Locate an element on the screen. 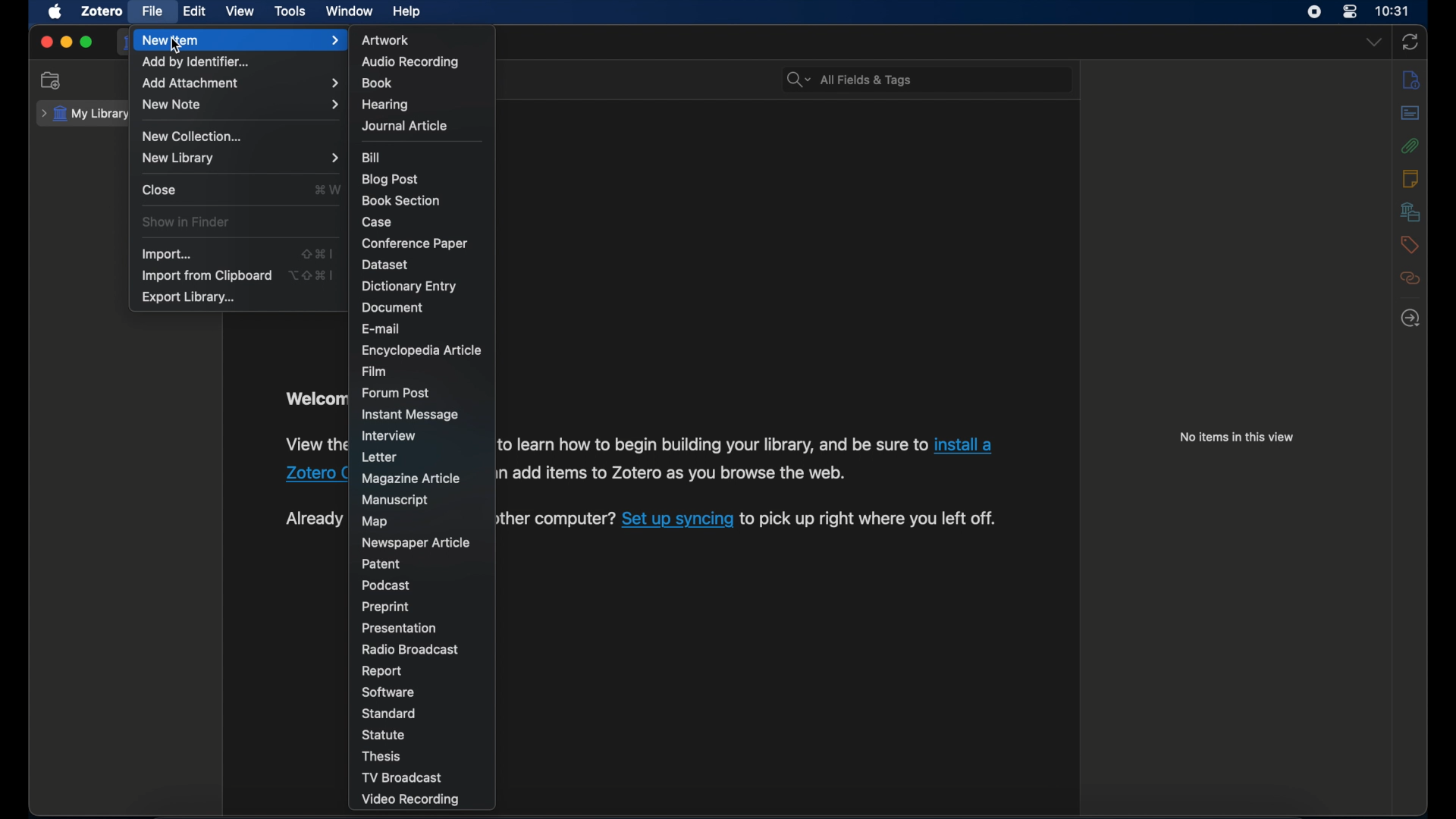 Image resolution: width=1456 pixels, height=819 pixels. sync is located at coordinates (1410, 43).